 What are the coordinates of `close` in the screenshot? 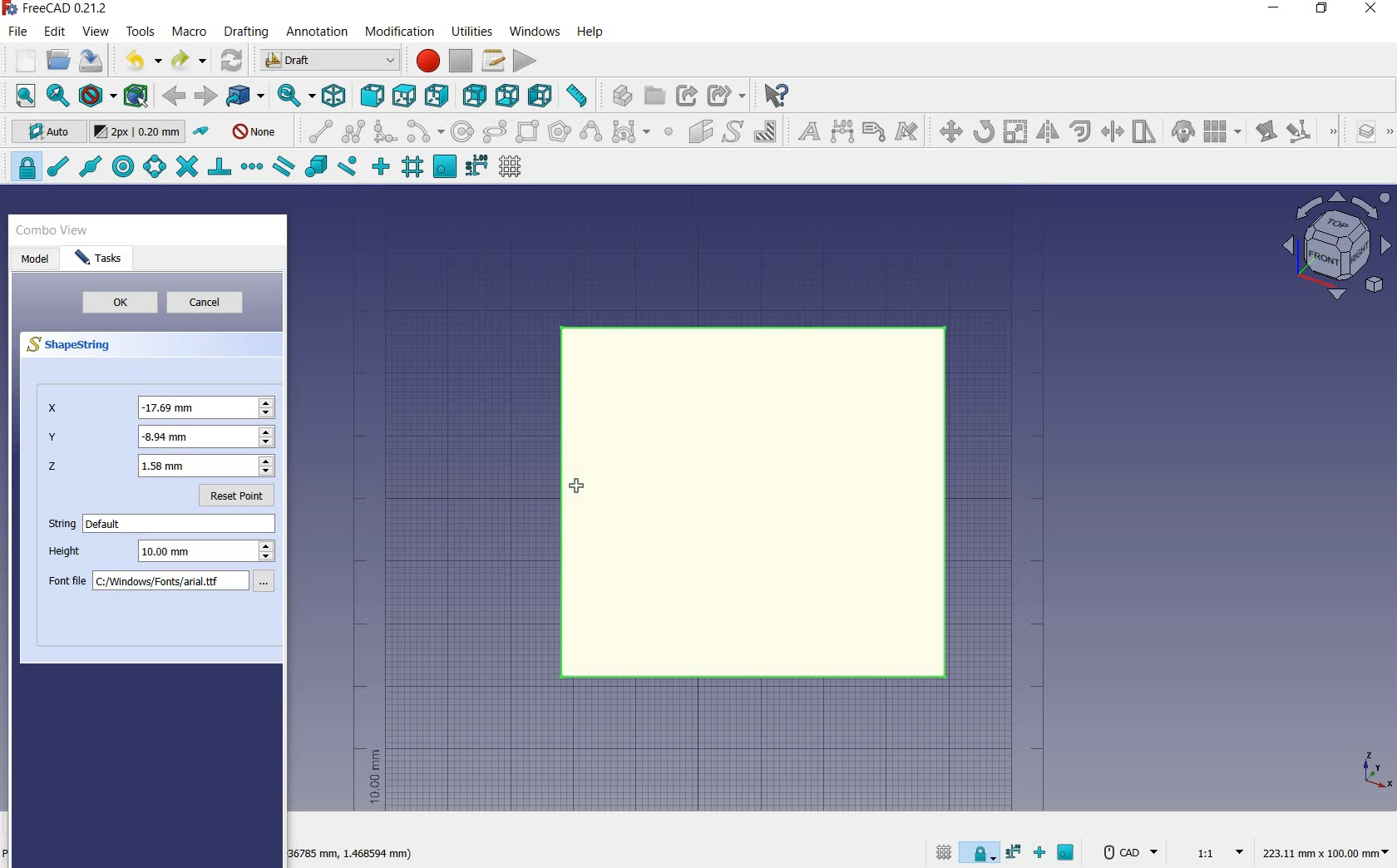 It's located at (1370, 10).